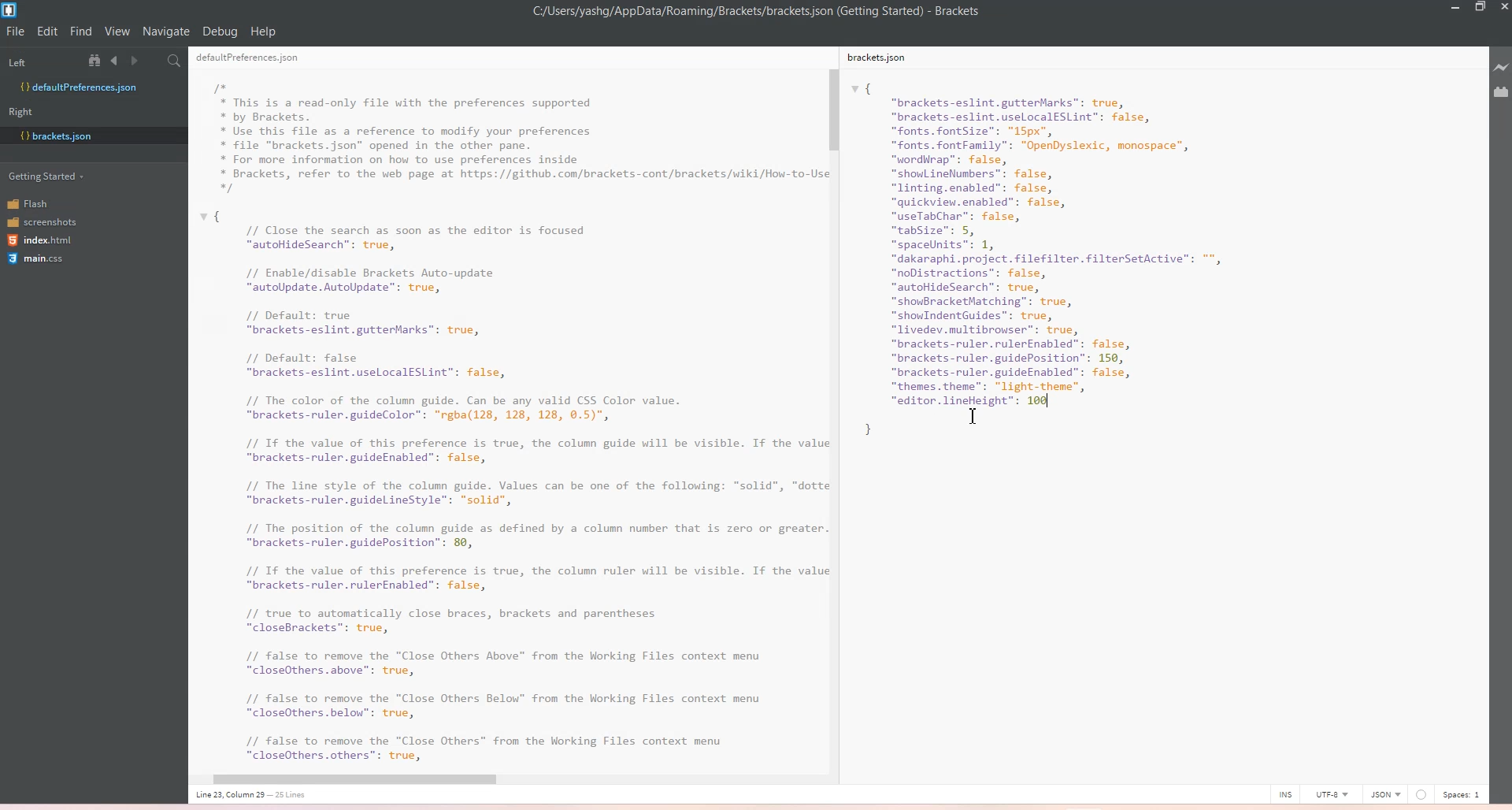 Image resolution: width=1512 pixels, height=810 pixels. What do you see at coordinates (1501, 92) in the screenshot?
I see `Extension Manager` at bounding box center [1501, 92].